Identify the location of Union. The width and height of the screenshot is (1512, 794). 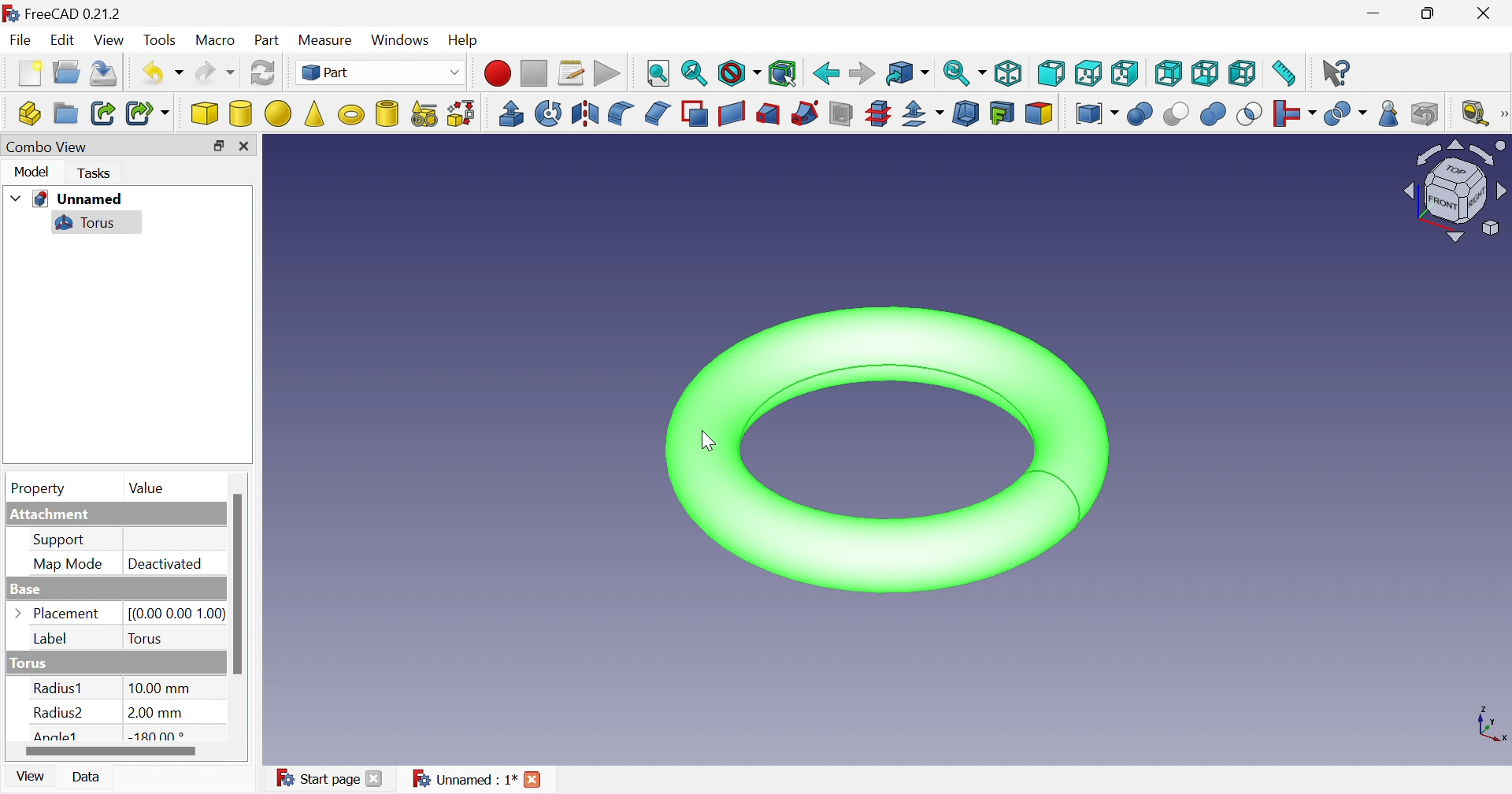
(1212, 114).